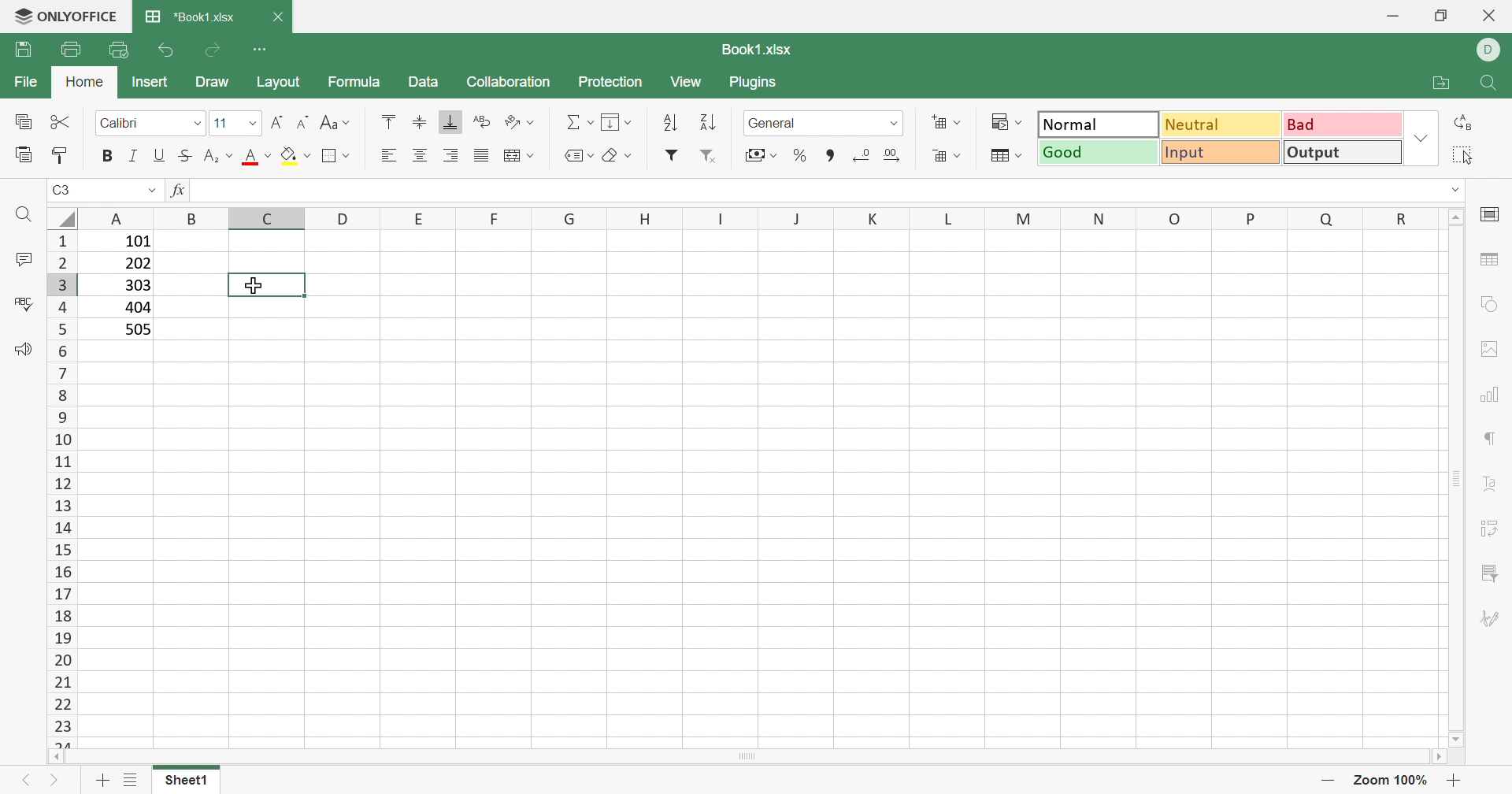  Describe the element at coordinates (1491, 214) in the screenshot. I see `cell settings` at that location.